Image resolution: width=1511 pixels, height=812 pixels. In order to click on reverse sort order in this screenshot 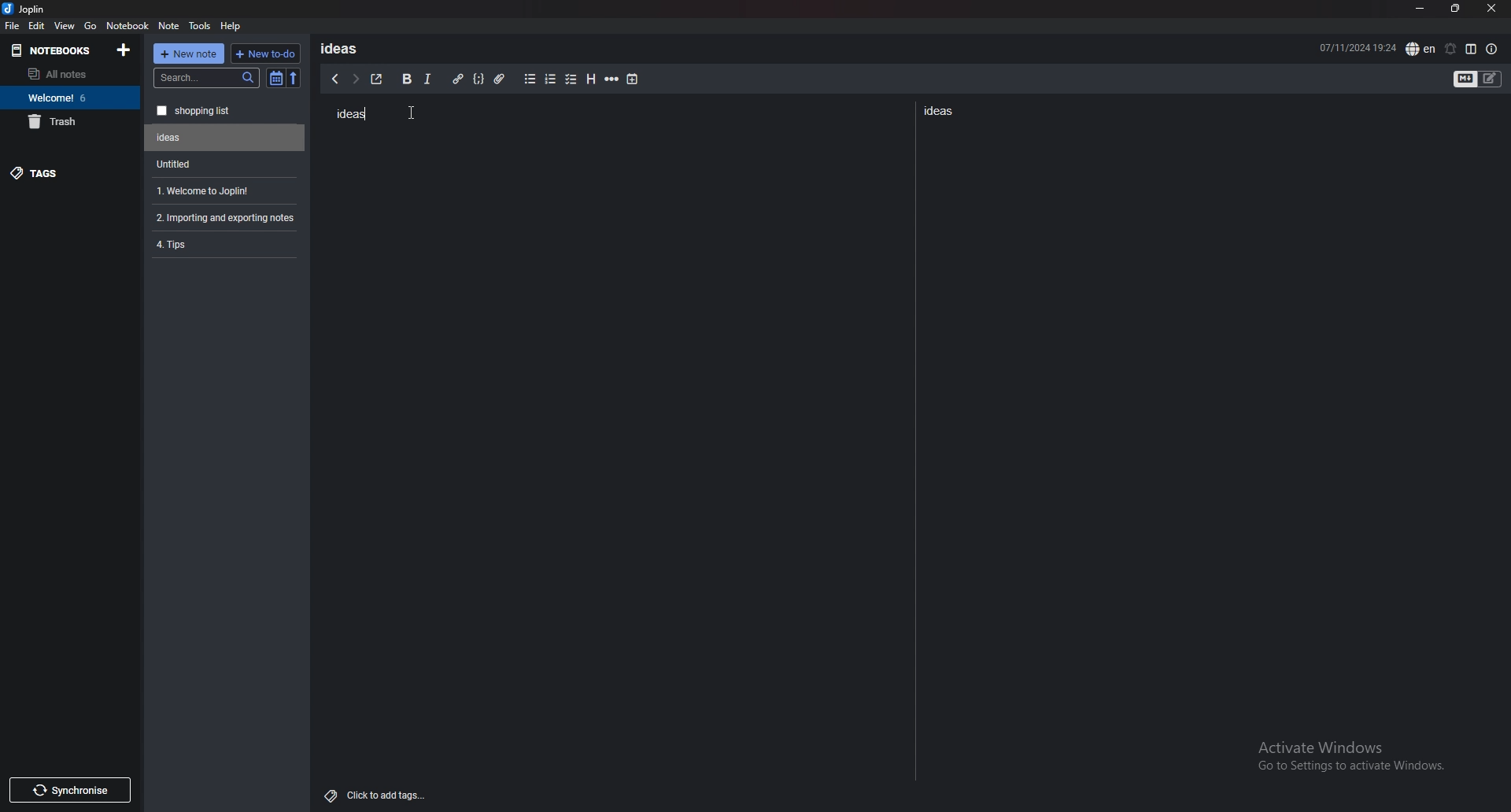, I will do `click(294, 79)`.